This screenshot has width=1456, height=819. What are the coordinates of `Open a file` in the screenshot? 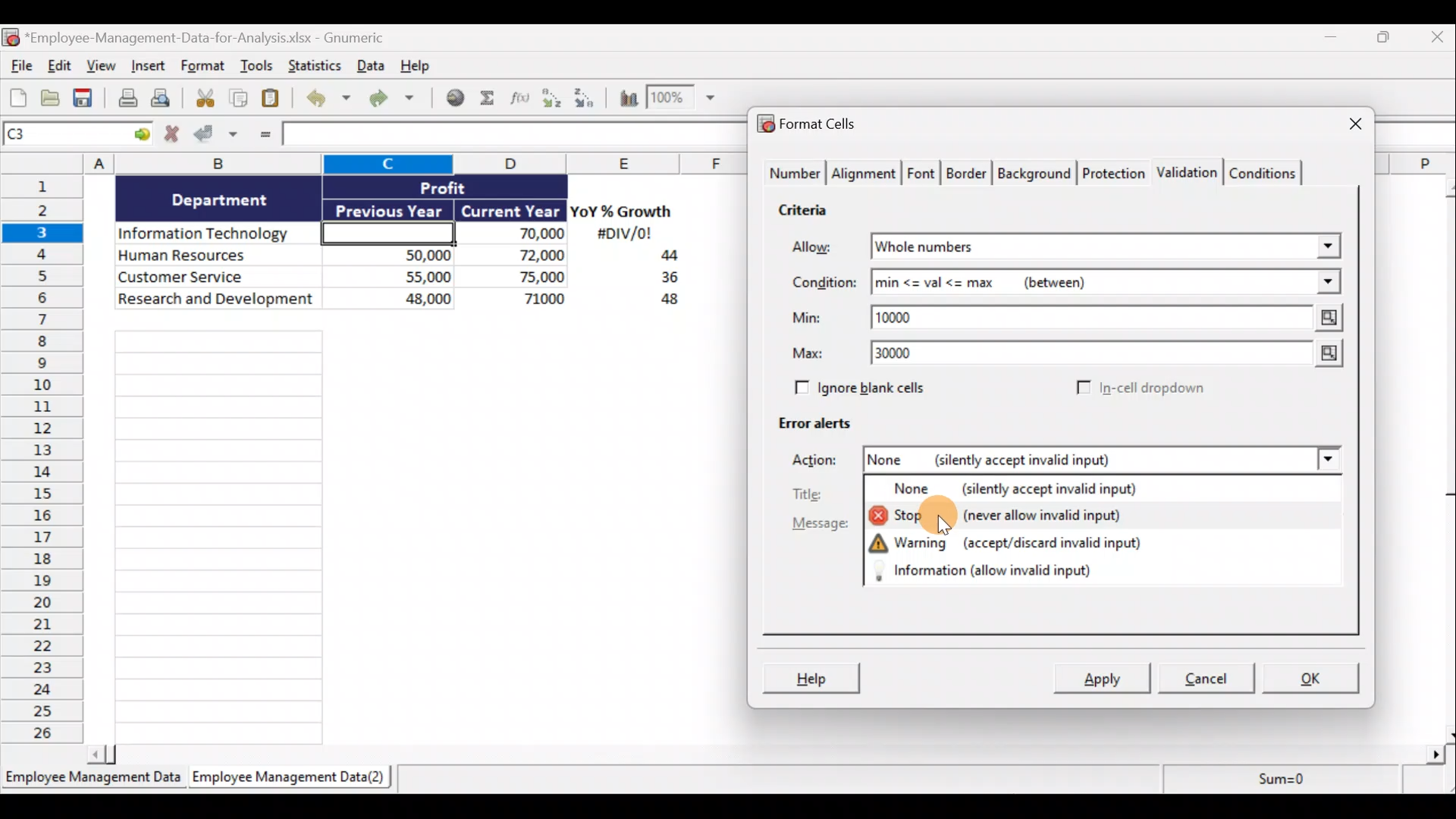 It's located at (51, 99).